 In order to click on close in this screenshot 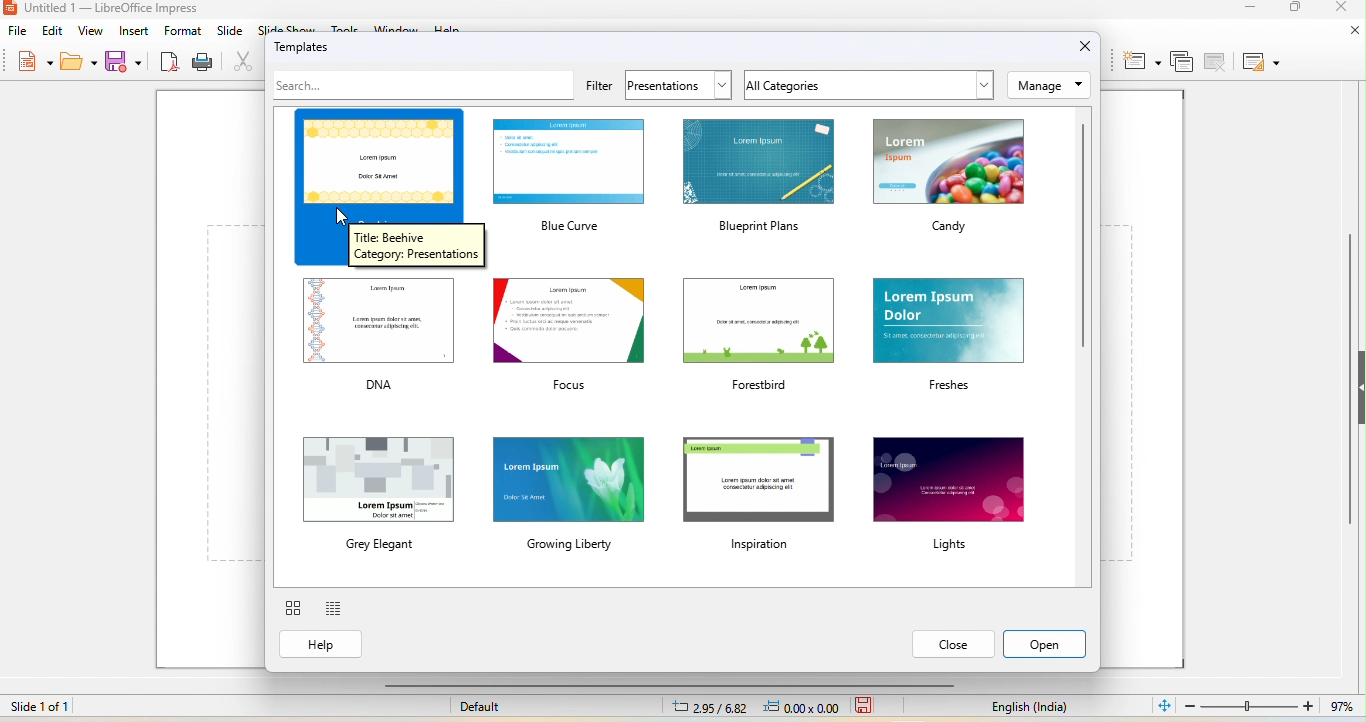, I will do `click(1353, 32)`.